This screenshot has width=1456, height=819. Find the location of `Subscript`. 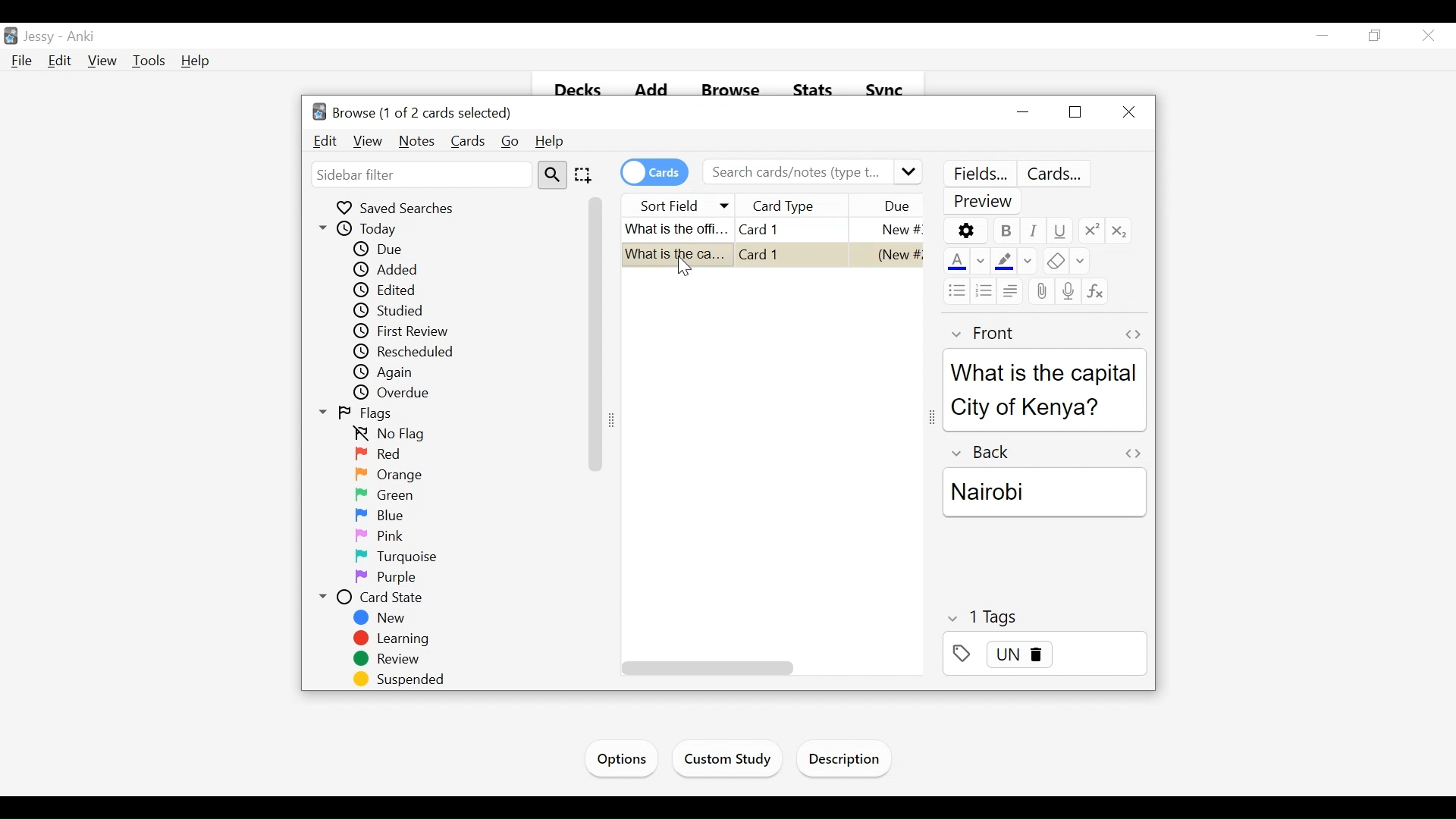

Subscript is located at coordinates (1120, 230).